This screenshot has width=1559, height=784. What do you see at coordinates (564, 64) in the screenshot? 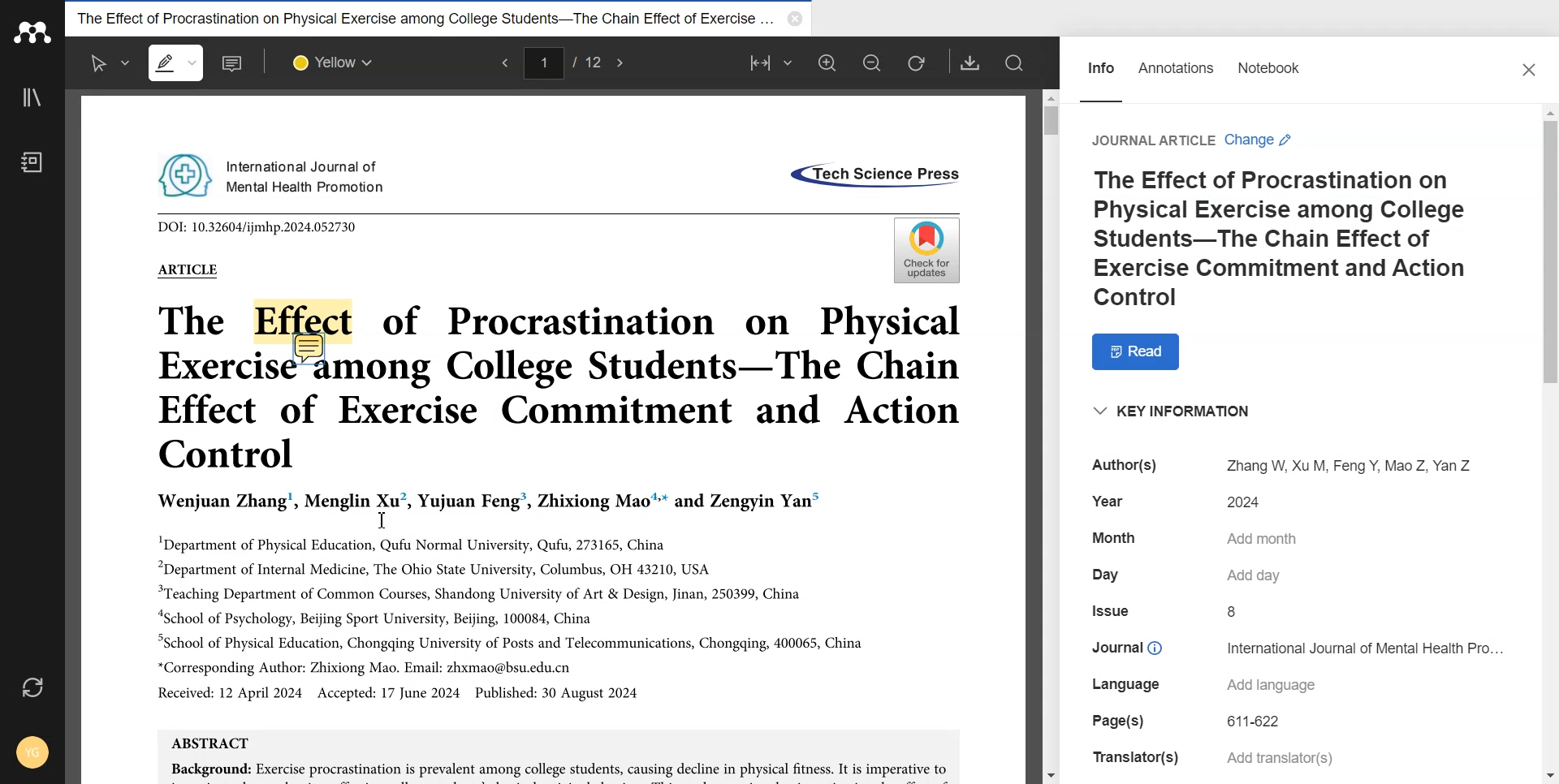
I see `1/12` at bounding box center [564, 64].